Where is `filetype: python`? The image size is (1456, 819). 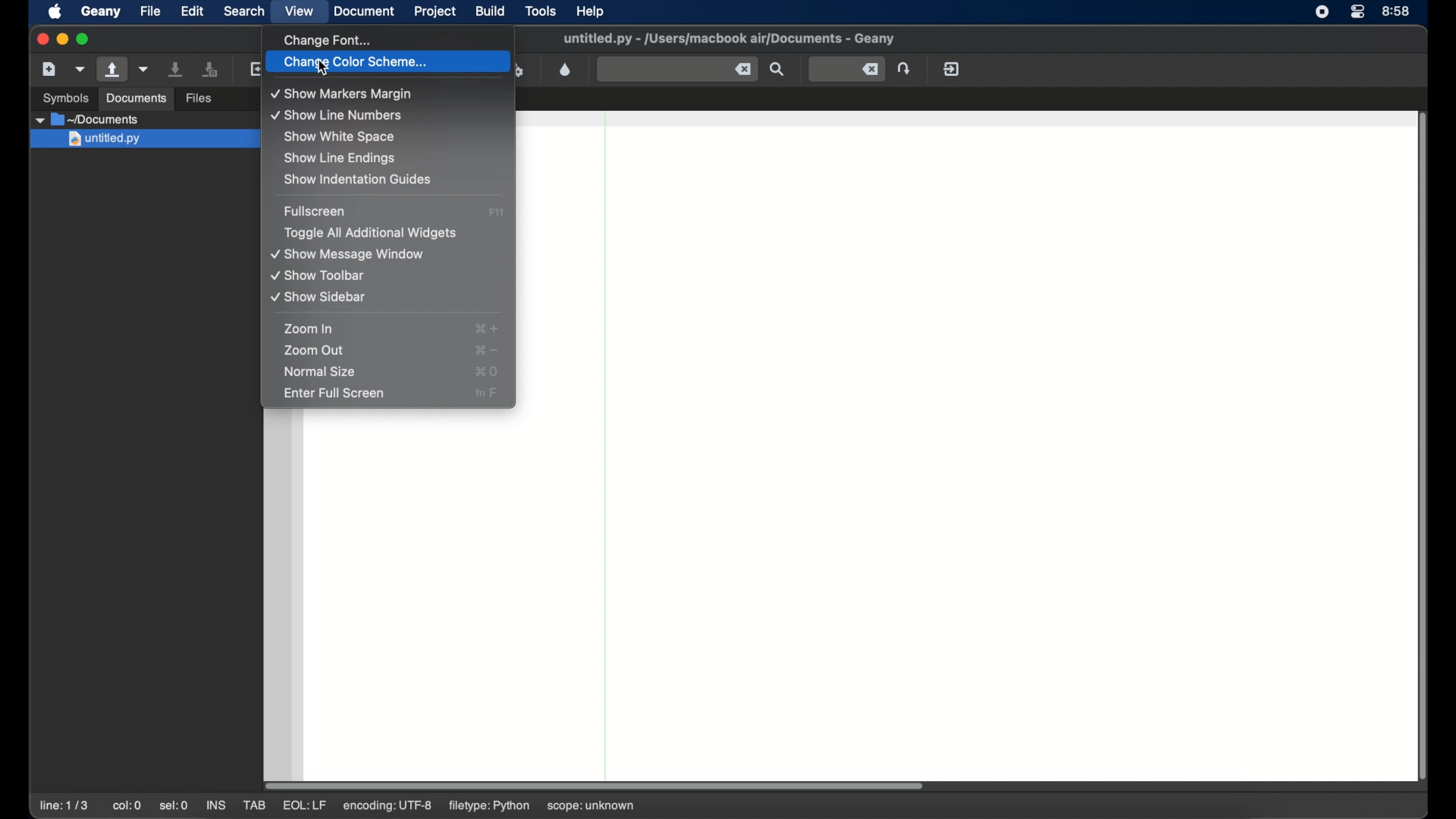 filetype: python is located at coordinates (491, 807).